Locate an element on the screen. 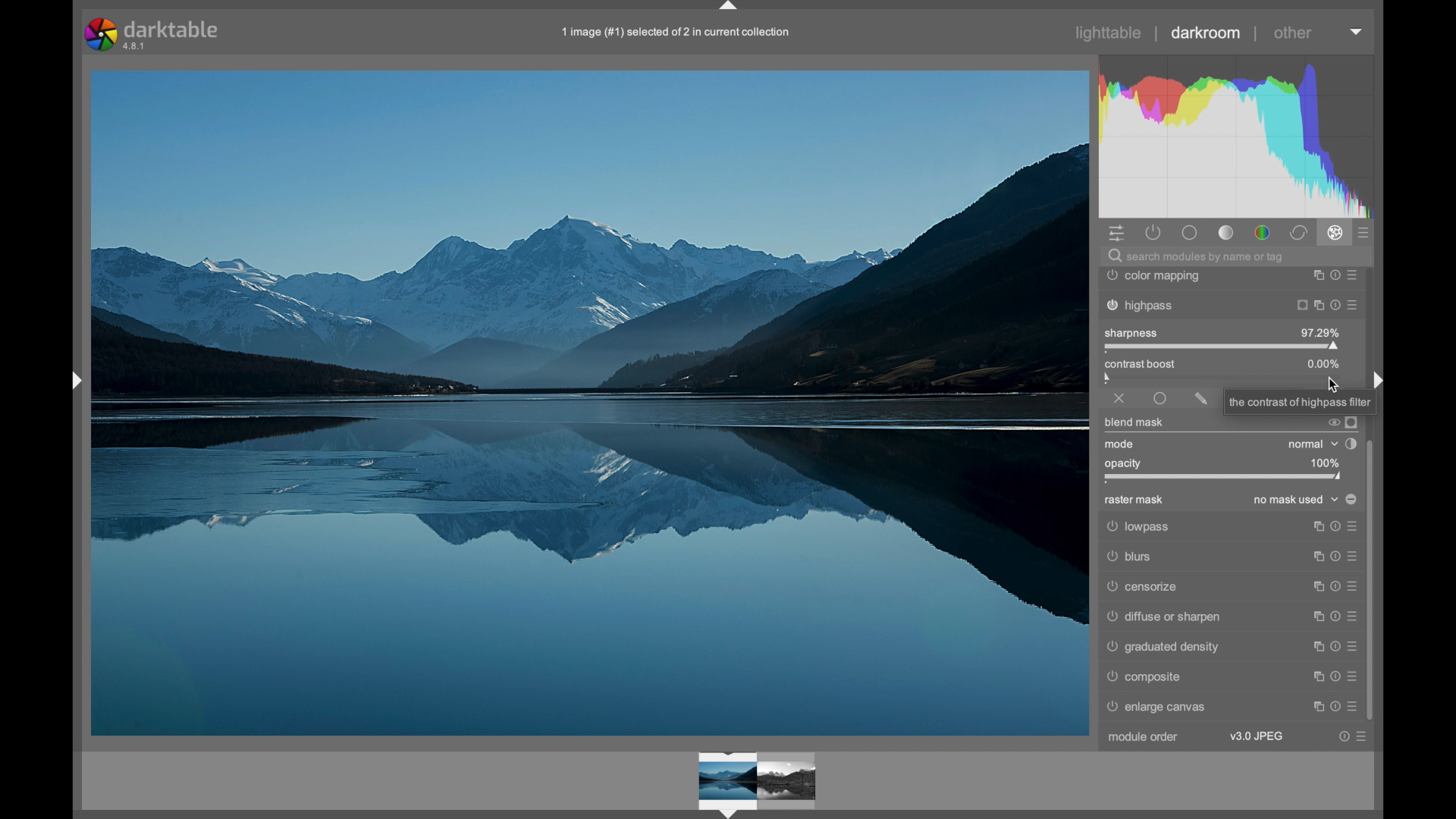  darktable is located at coordinates (153, 34).